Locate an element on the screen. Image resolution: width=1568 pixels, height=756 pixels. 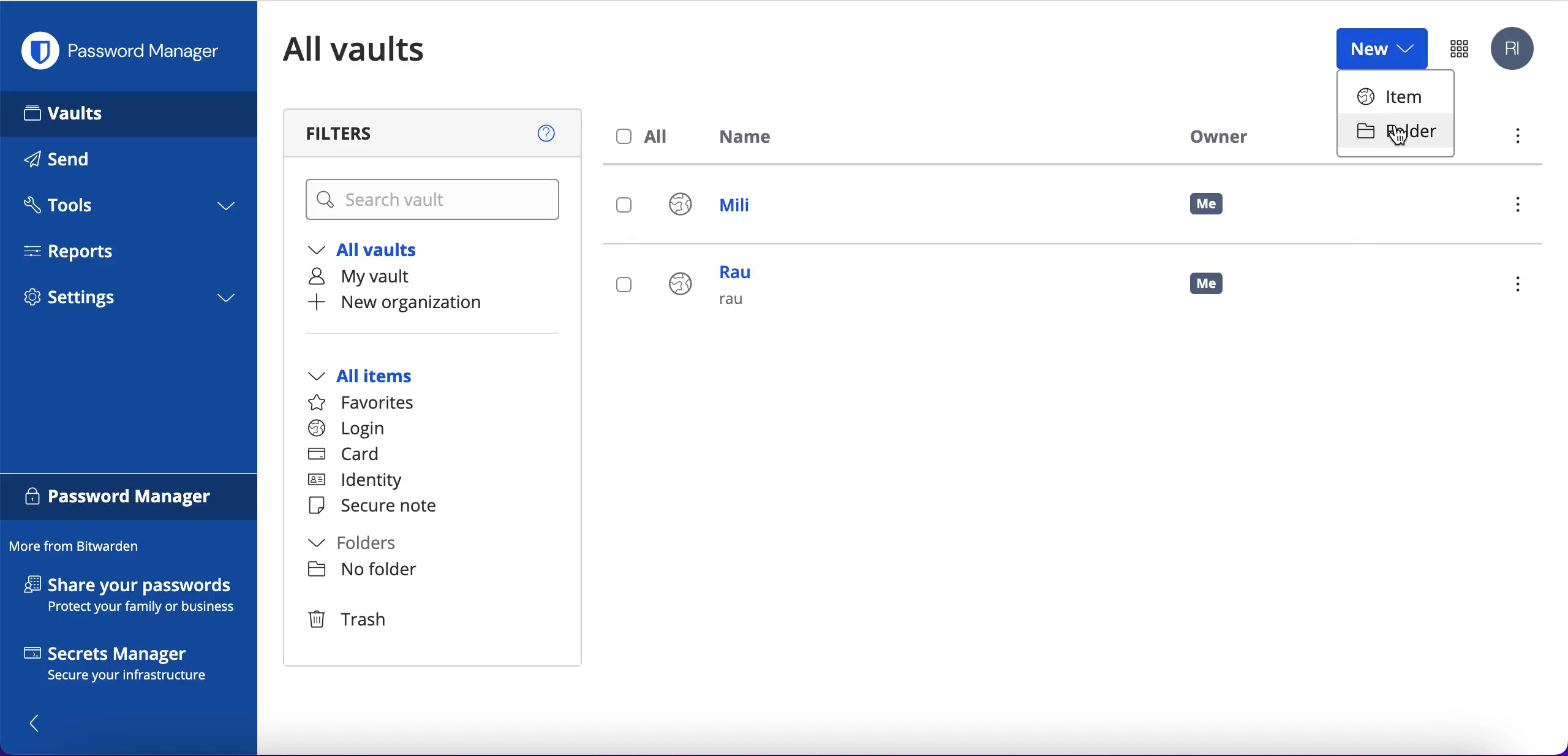
menu is located at coordinates (1523, 286).